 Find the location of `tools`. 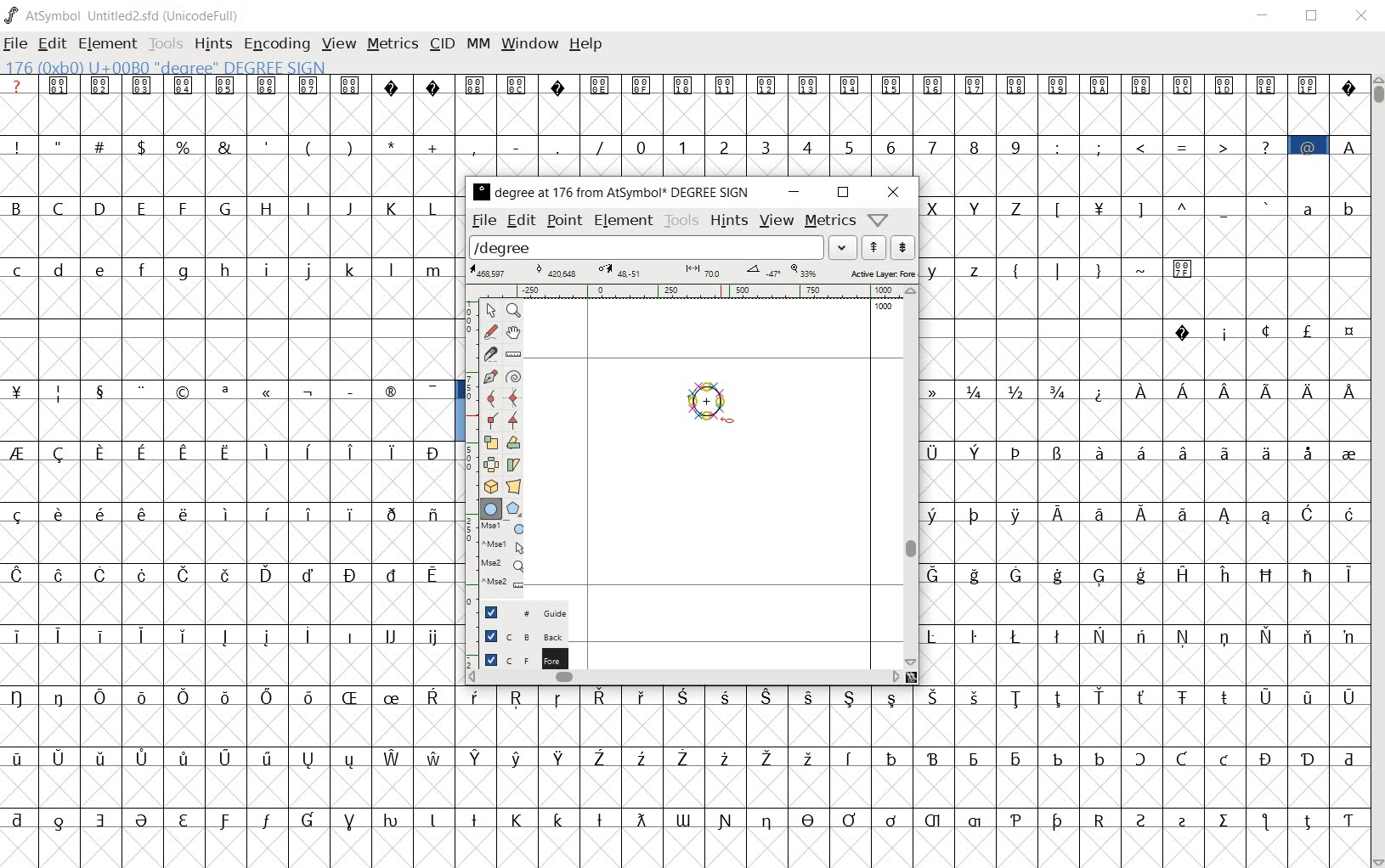

tools is located at coordinates (681, 221).